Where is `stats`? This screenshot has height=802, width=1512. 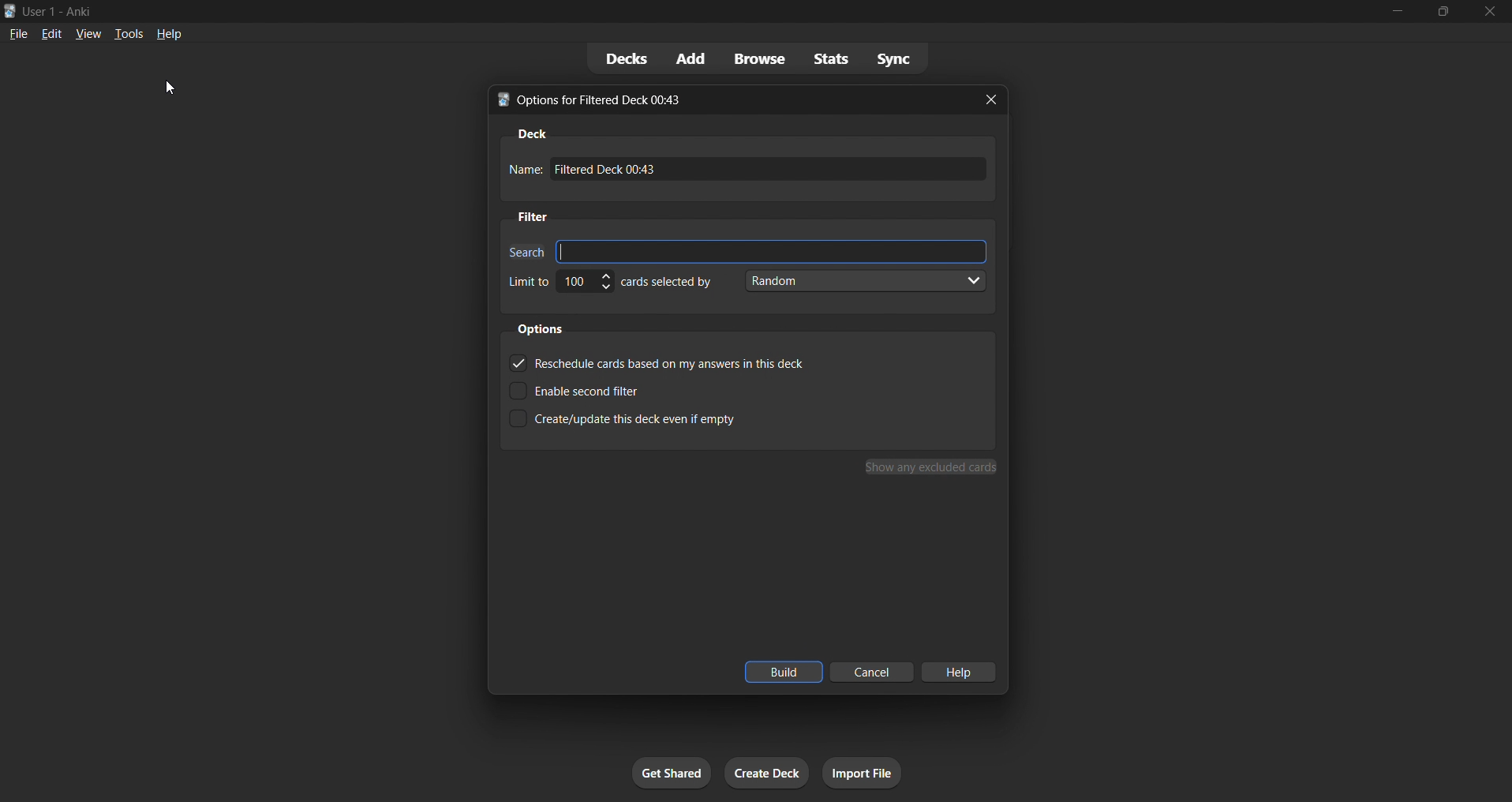 stats is located at coordinates (823, 58).